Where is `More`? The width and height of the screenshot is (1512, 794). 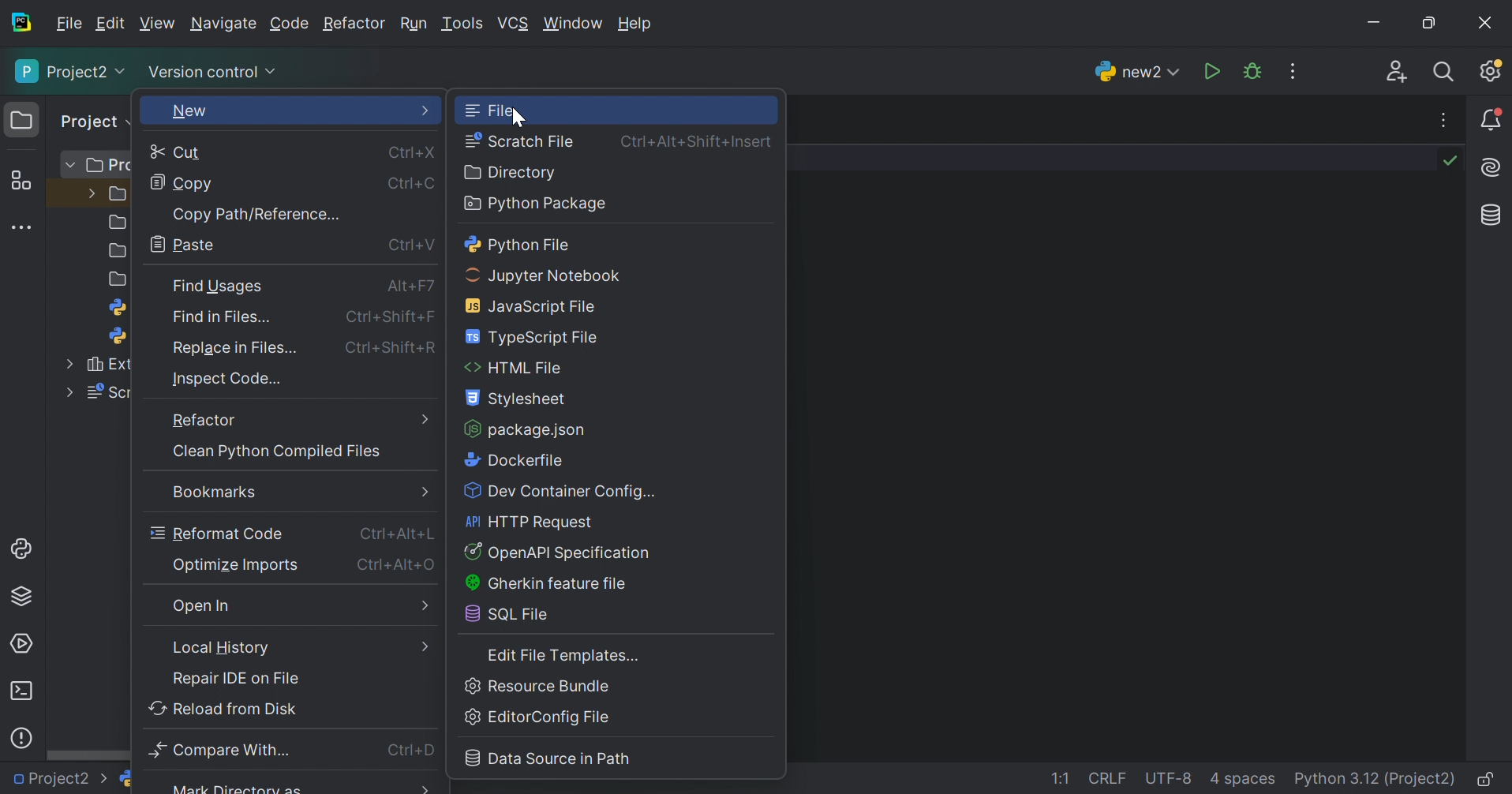
More is located at coordinates (419, 646).